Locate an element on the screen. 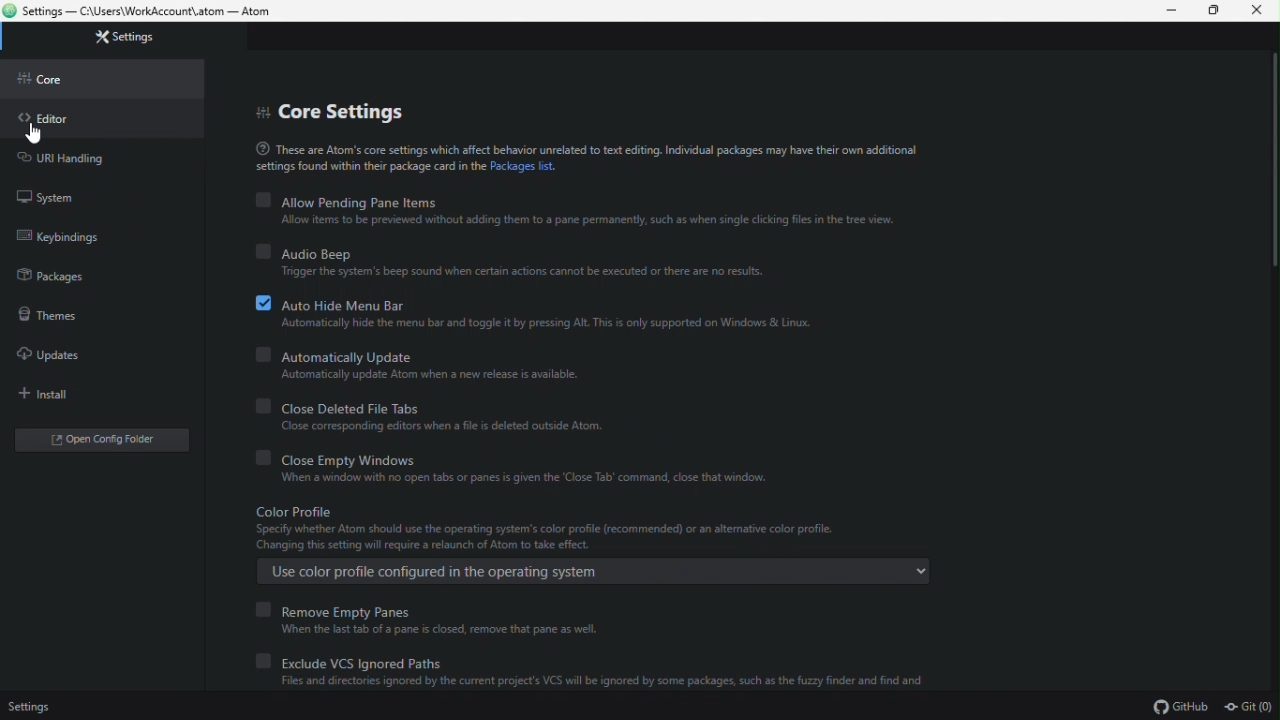 The width and height of the screenshot is (1280, 720). ‘Automatically update Atom when a new release is available. is located at coordinates (428, 375).